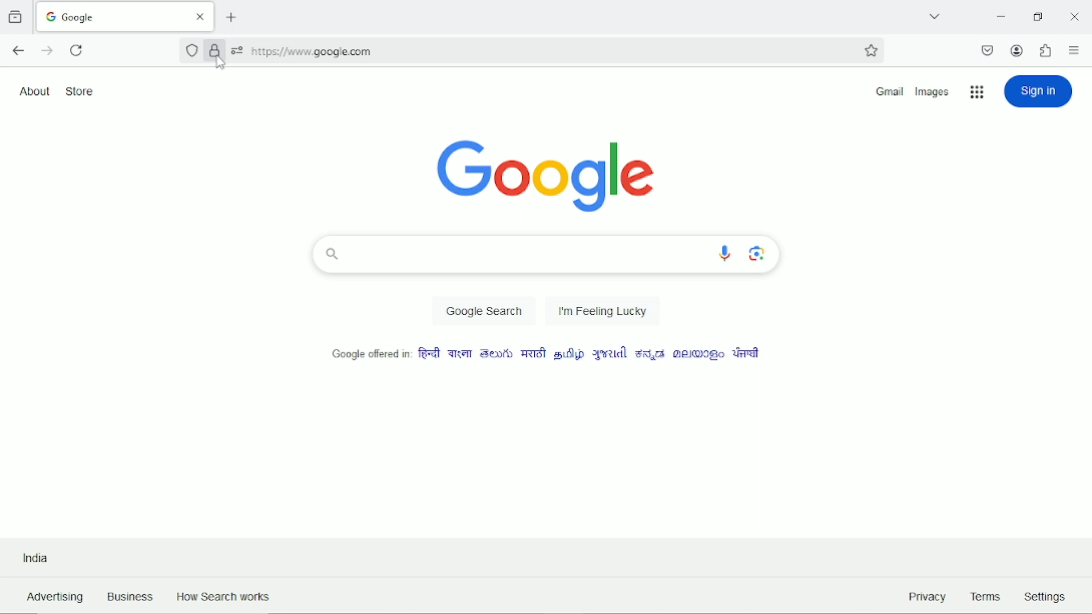 The height and width of the screenshot is (614, 1092). Describe the element at coordinates (1046, 49) in the screenshot. I see `extensions` at that location.